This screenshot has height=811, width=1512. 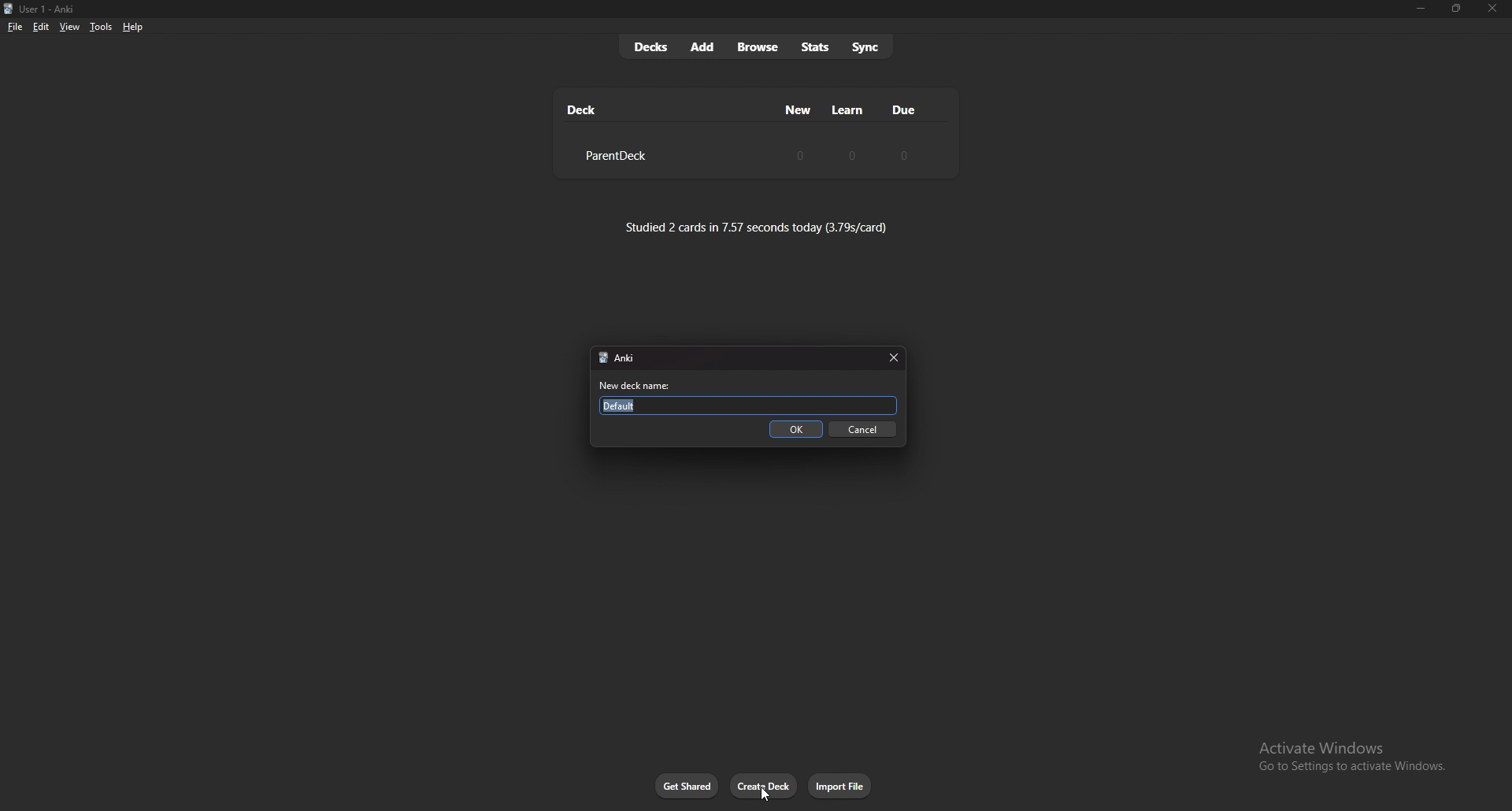 I want to click on 0, so click(x=853, y=154).